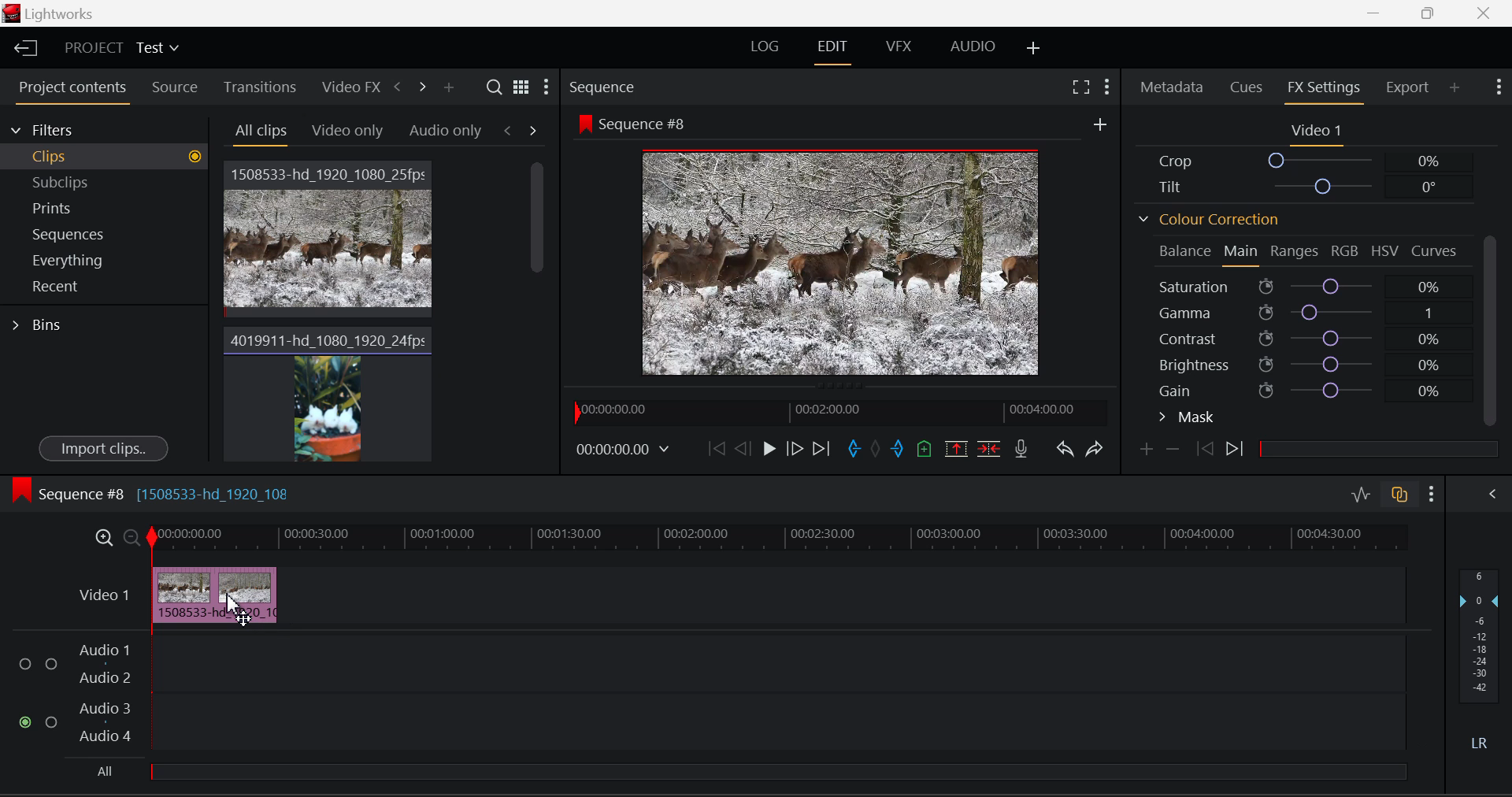 The width and height of the screenshot is (1512, 797). I want to click on Cursor, so click(238, 610).